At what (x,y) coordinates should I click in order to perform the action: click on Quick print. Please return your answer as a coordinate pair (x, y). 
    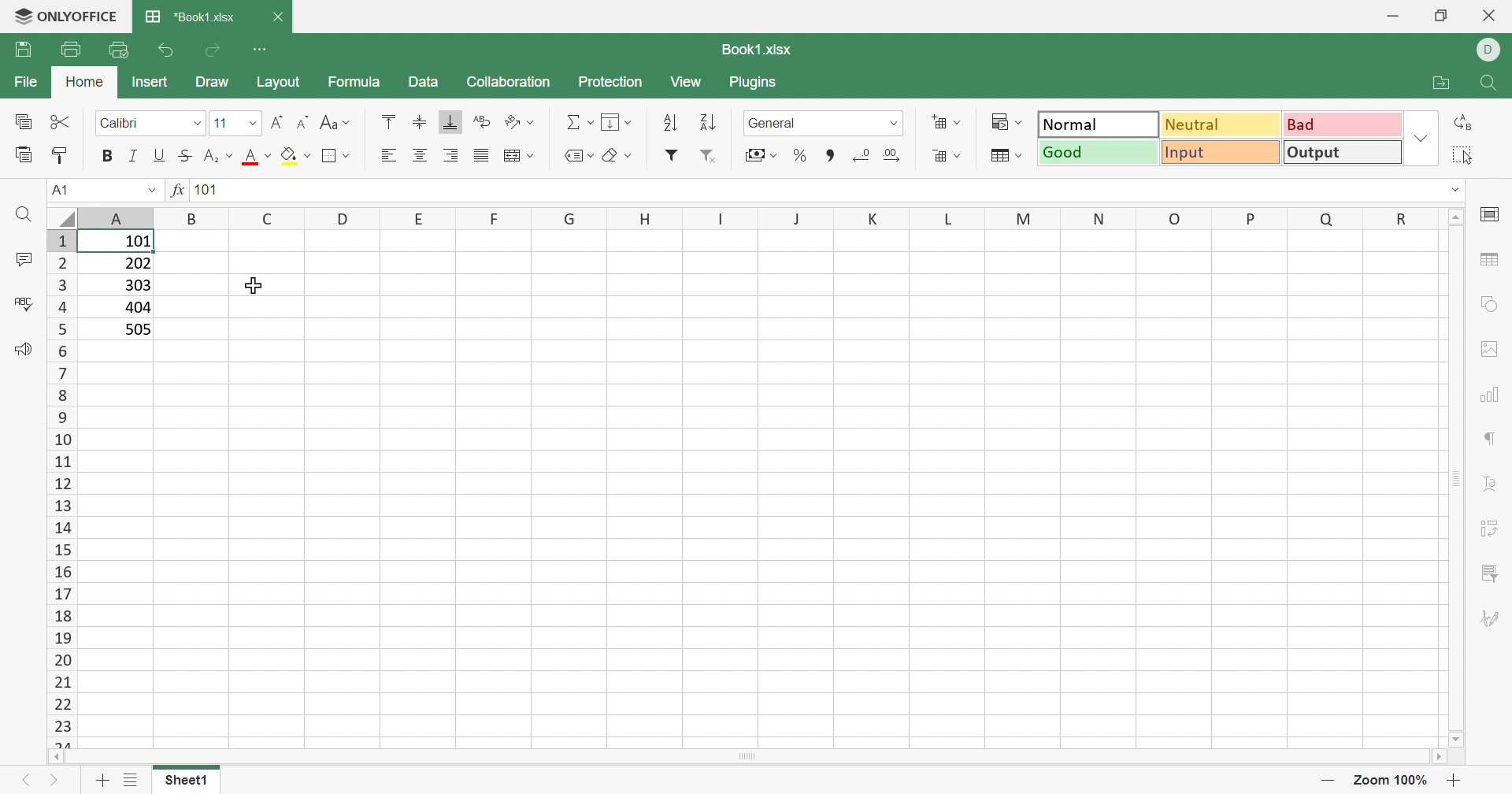
    Looking at the image, I should click on (121, 49).